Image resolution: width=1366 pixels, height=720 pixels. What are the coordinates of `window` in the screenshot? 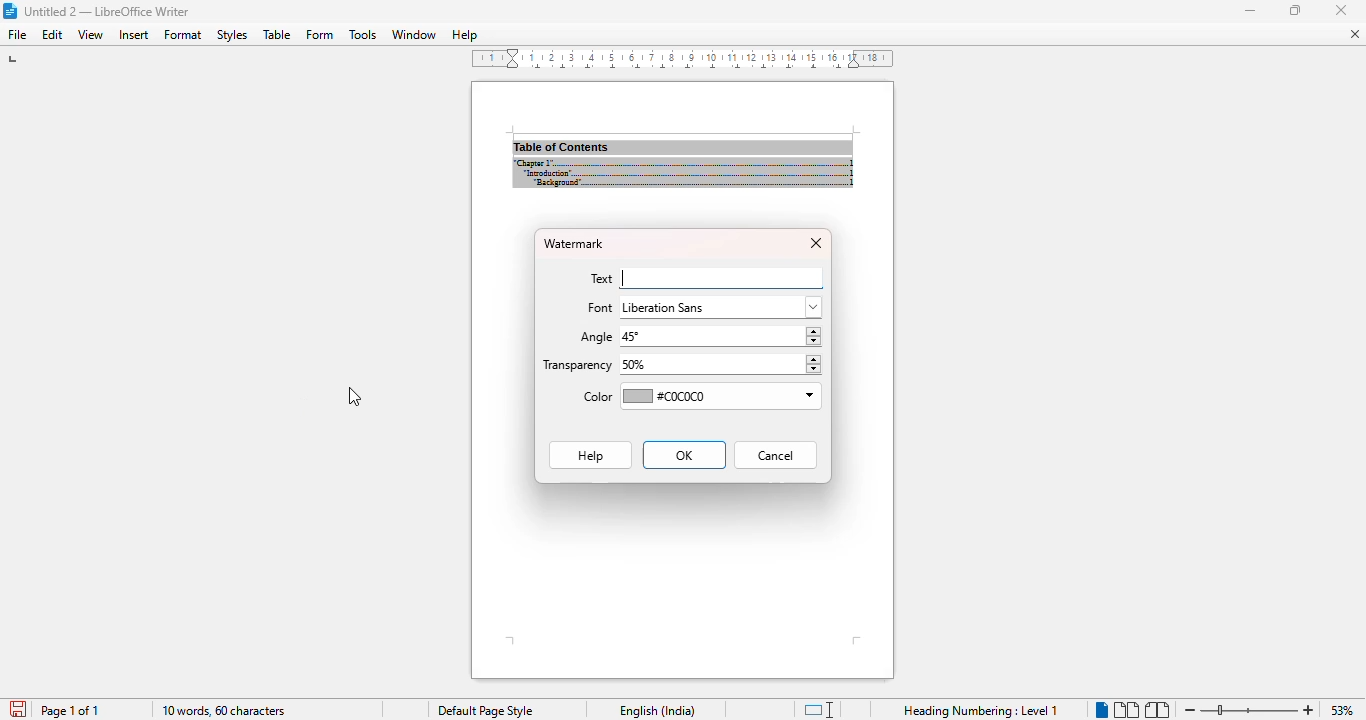 It's located at (414, 34).